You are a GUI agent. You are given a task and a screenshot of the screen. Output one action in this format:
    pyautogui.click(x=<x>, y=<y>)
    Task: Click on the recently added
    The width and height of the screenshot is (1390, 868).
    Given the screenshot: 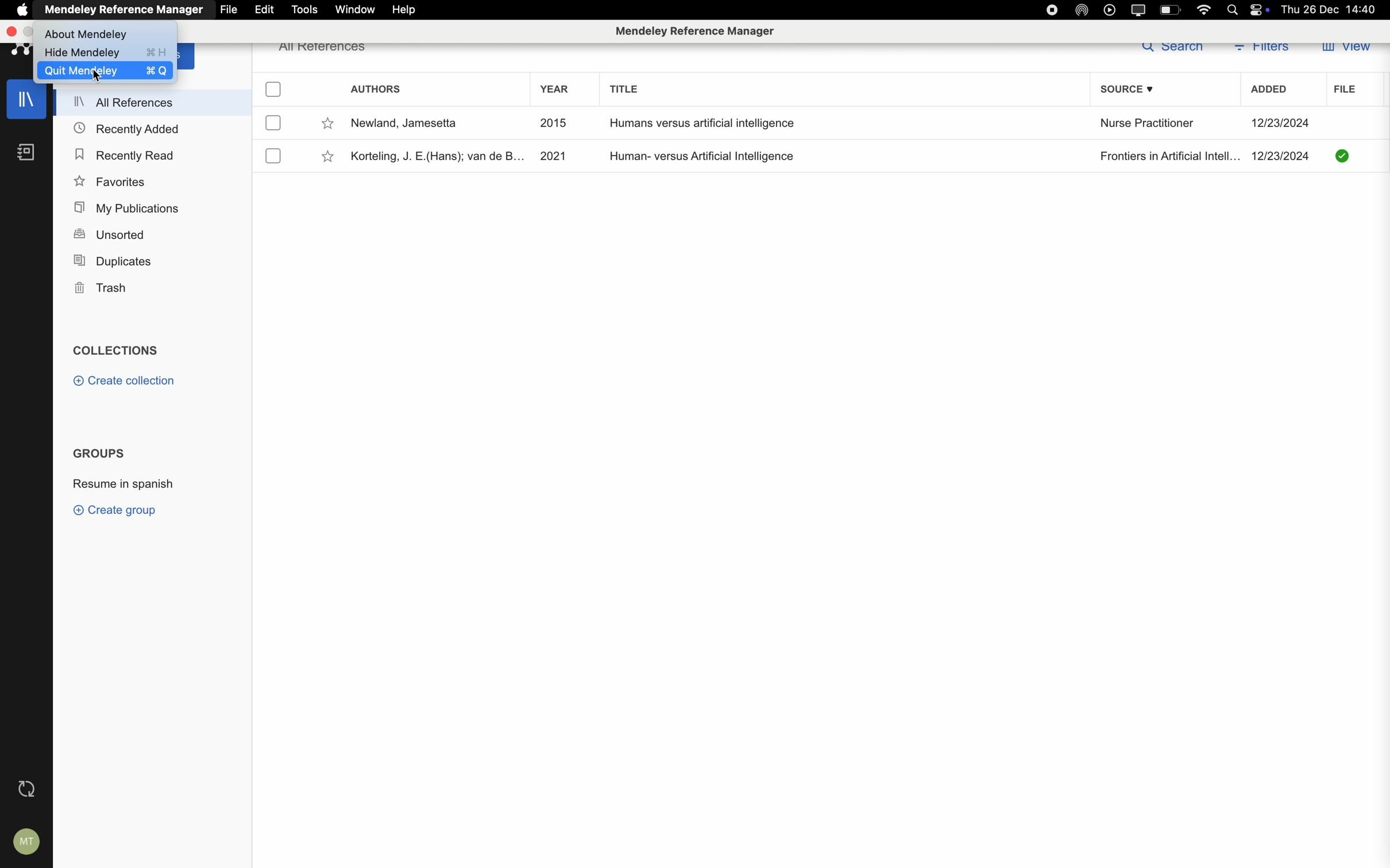 What is the action you would take?
    pyautogui.click(x=128, y=127)
    